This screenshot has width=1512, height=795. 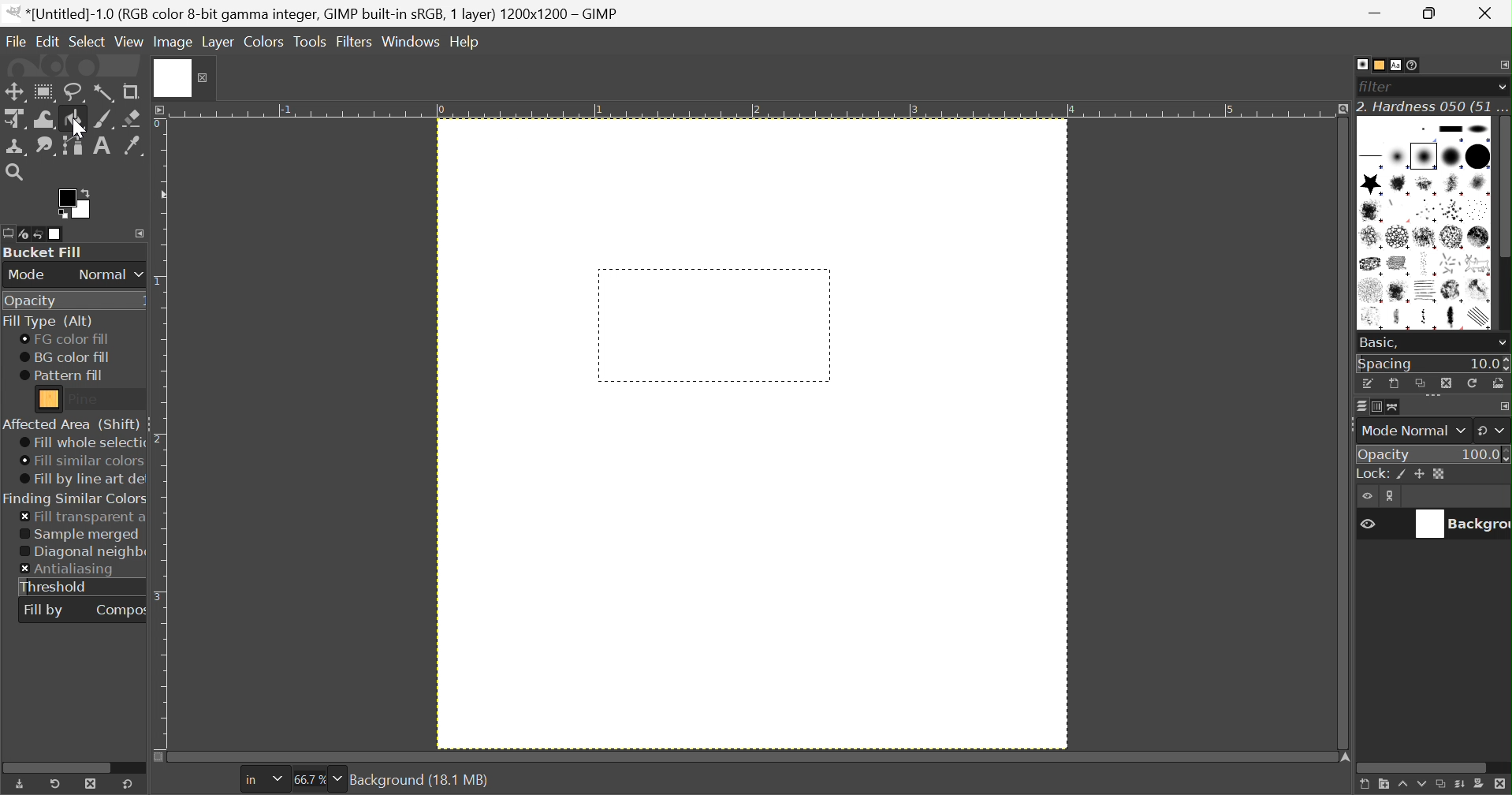 What do you see at coordinates (755, 110) in the screenshot?
I see `2` at bounding box center [755, 110].